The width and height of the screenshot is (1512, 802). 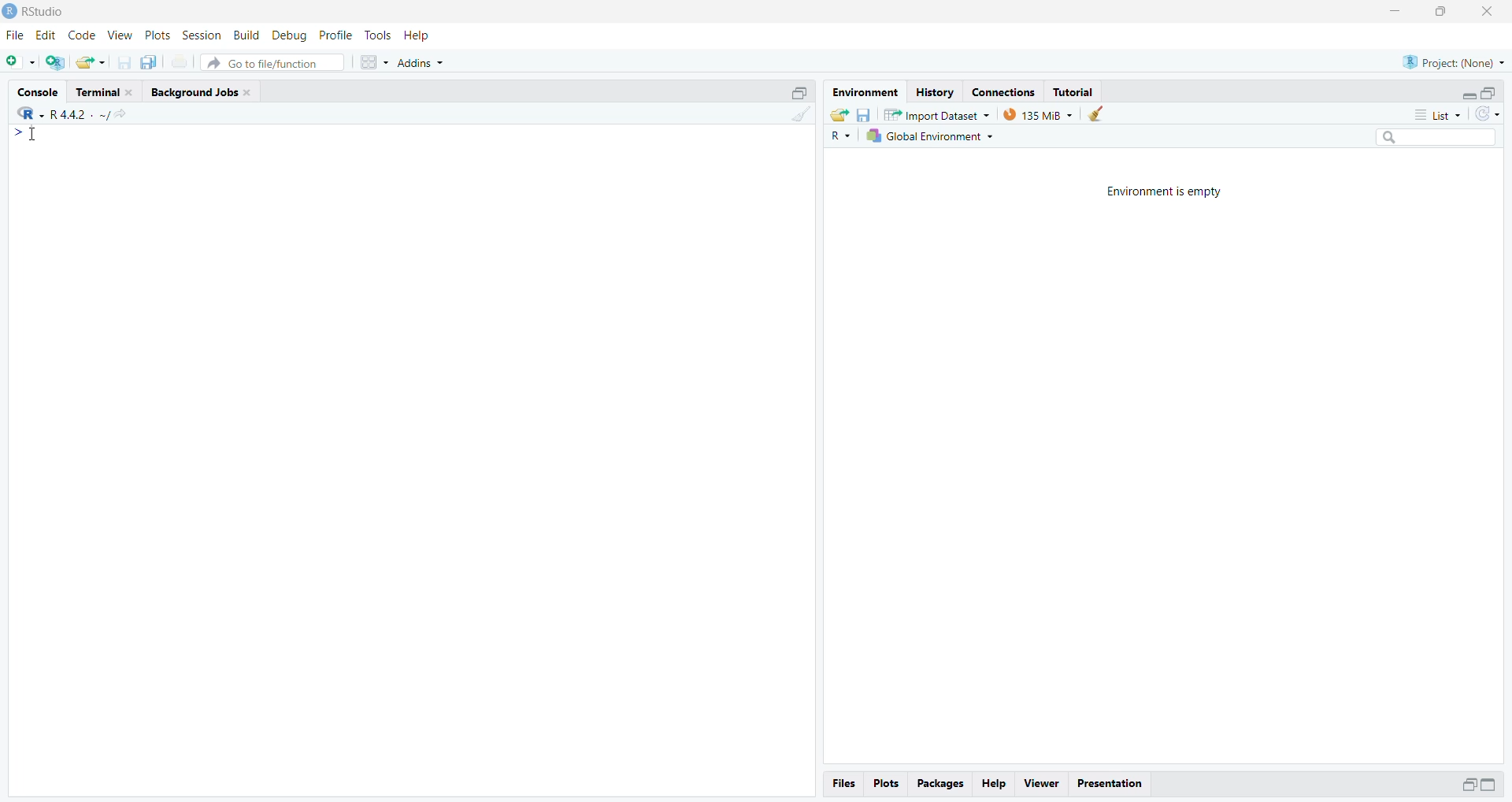 What do you see at coordinates (933, 91) in the screenshot?
I see `History` at bounding box center [933, 91].